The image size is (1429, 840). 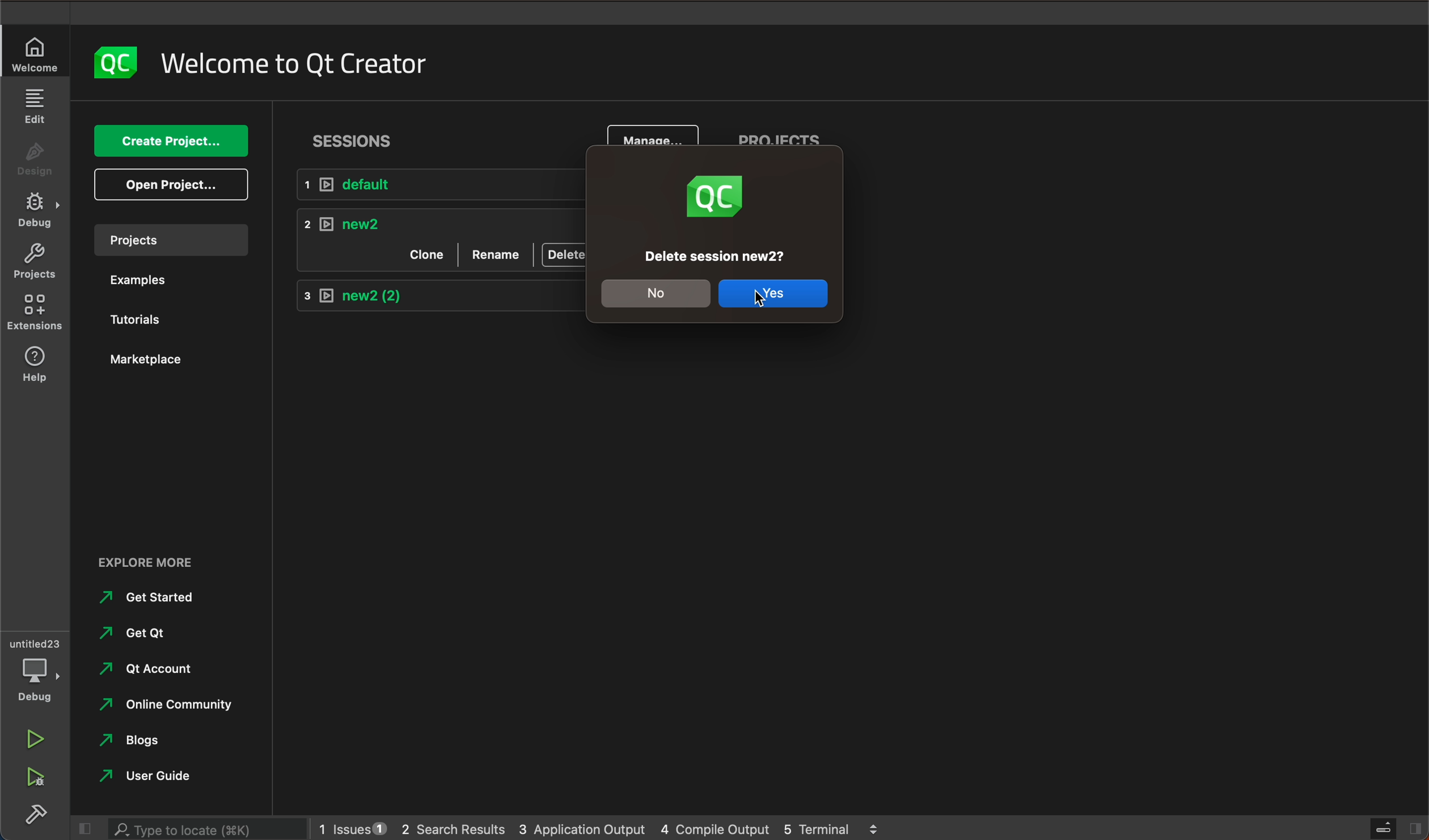 I want to click on welcome, so click(x=36, y=54).